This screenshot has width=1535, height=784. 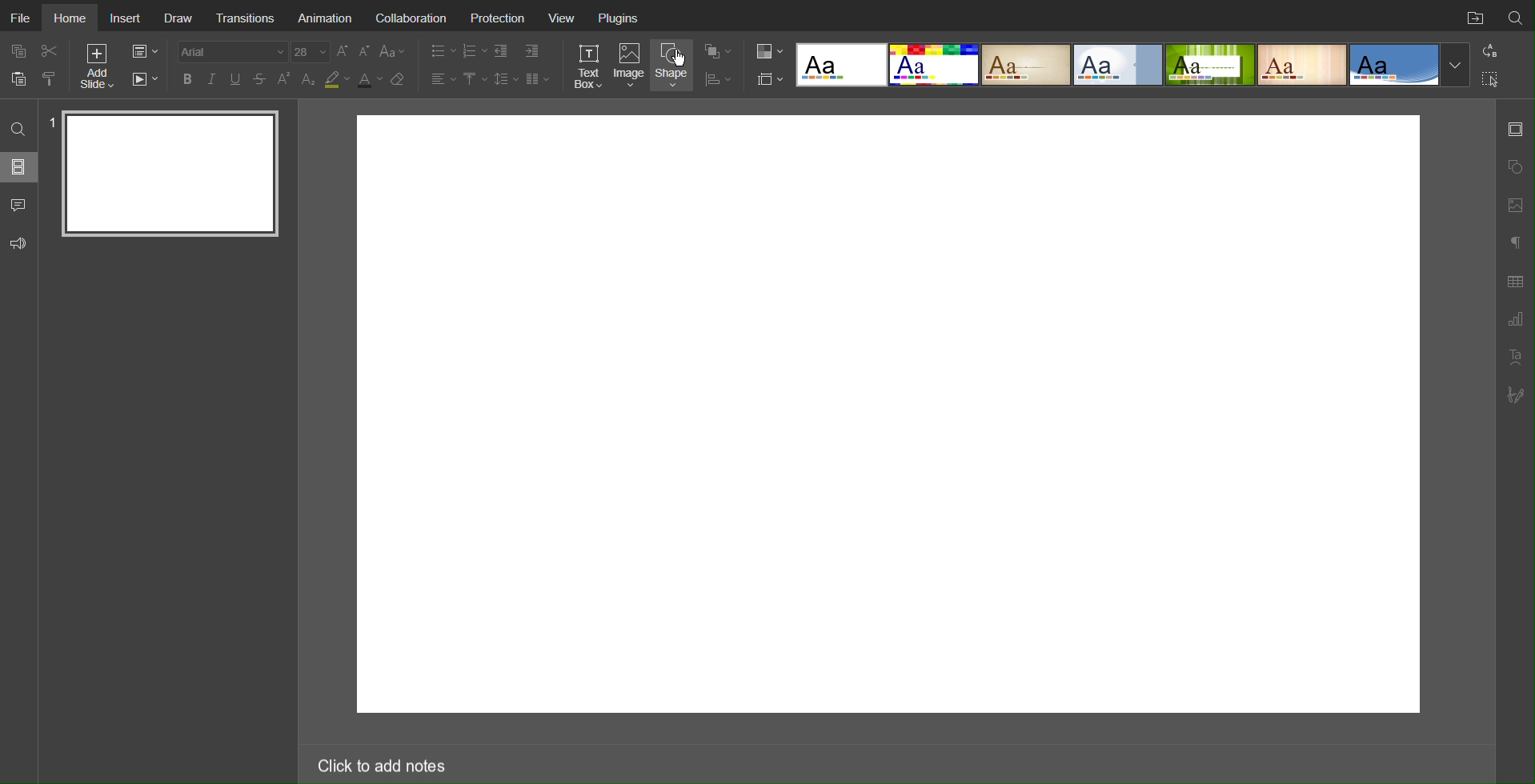 I want to click on Bullet List, so click(x=439, y=51).